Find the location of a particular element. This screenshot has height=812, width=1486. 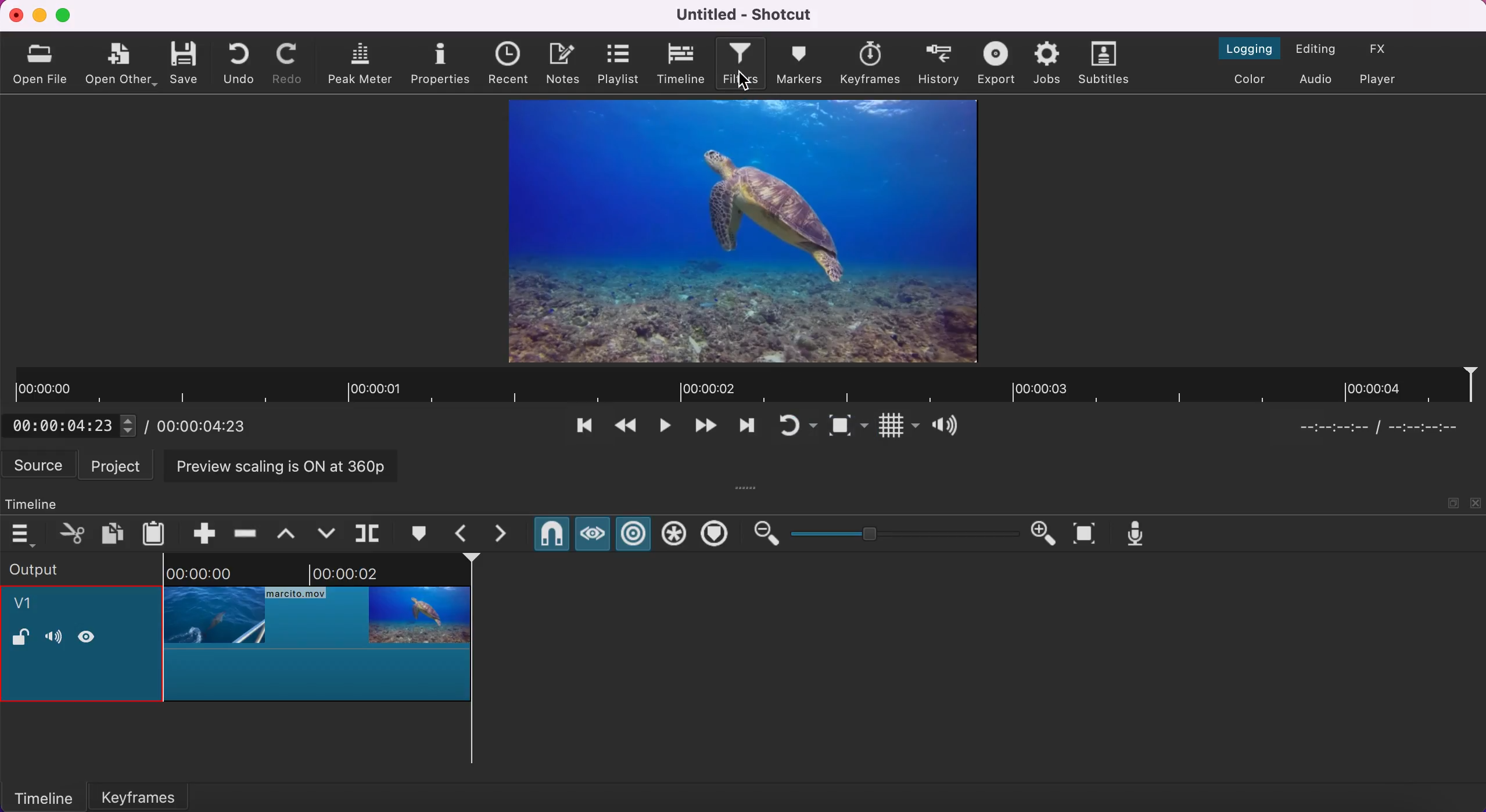

total duration is located at coordinates (208, 426).